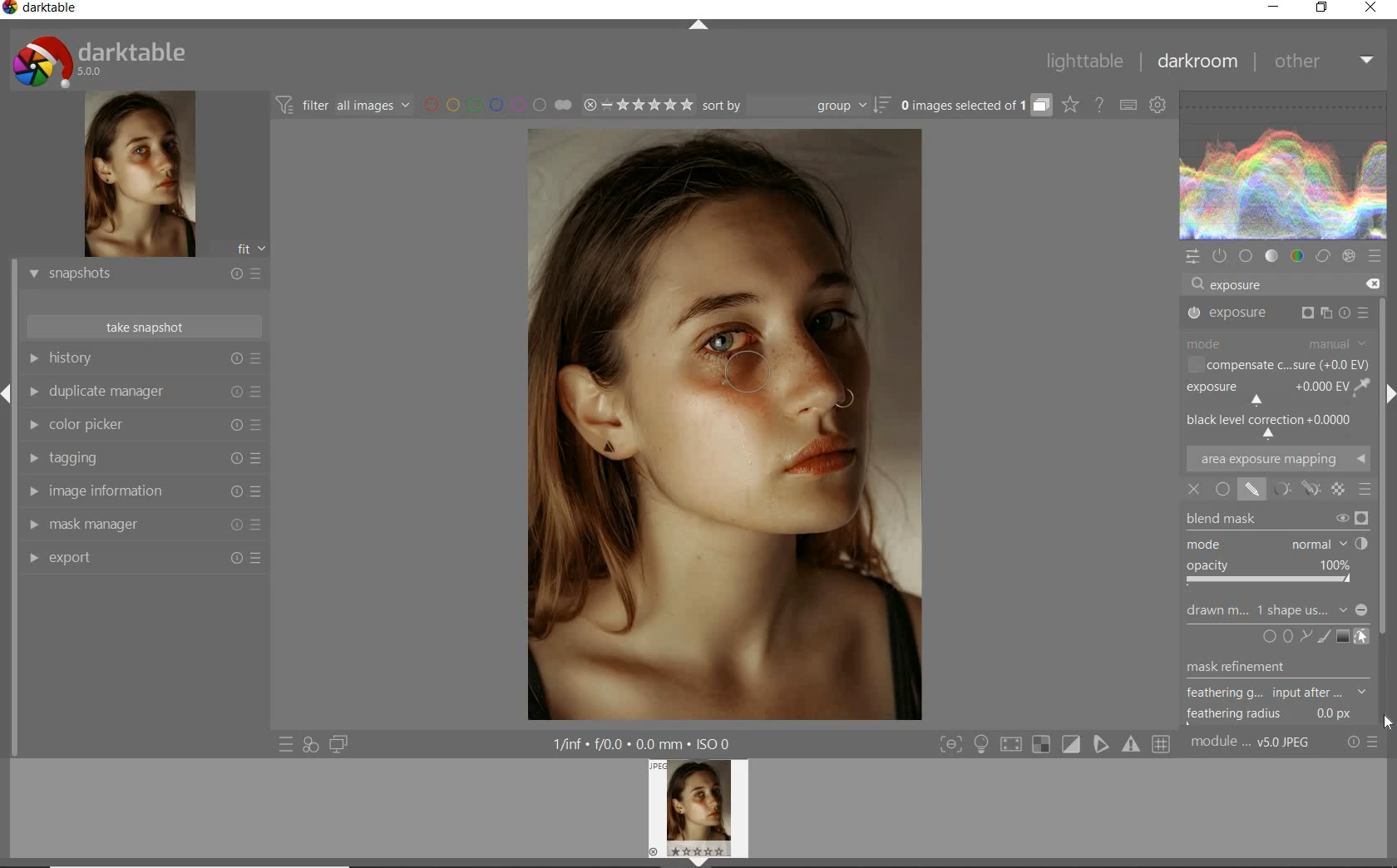 The width and height of the screenshot is (1397, 868). What do you see at coordinates (1261, 744) in the screenshot?
I see `module....V5.0jpeg` at bounding box center [1261, 744].